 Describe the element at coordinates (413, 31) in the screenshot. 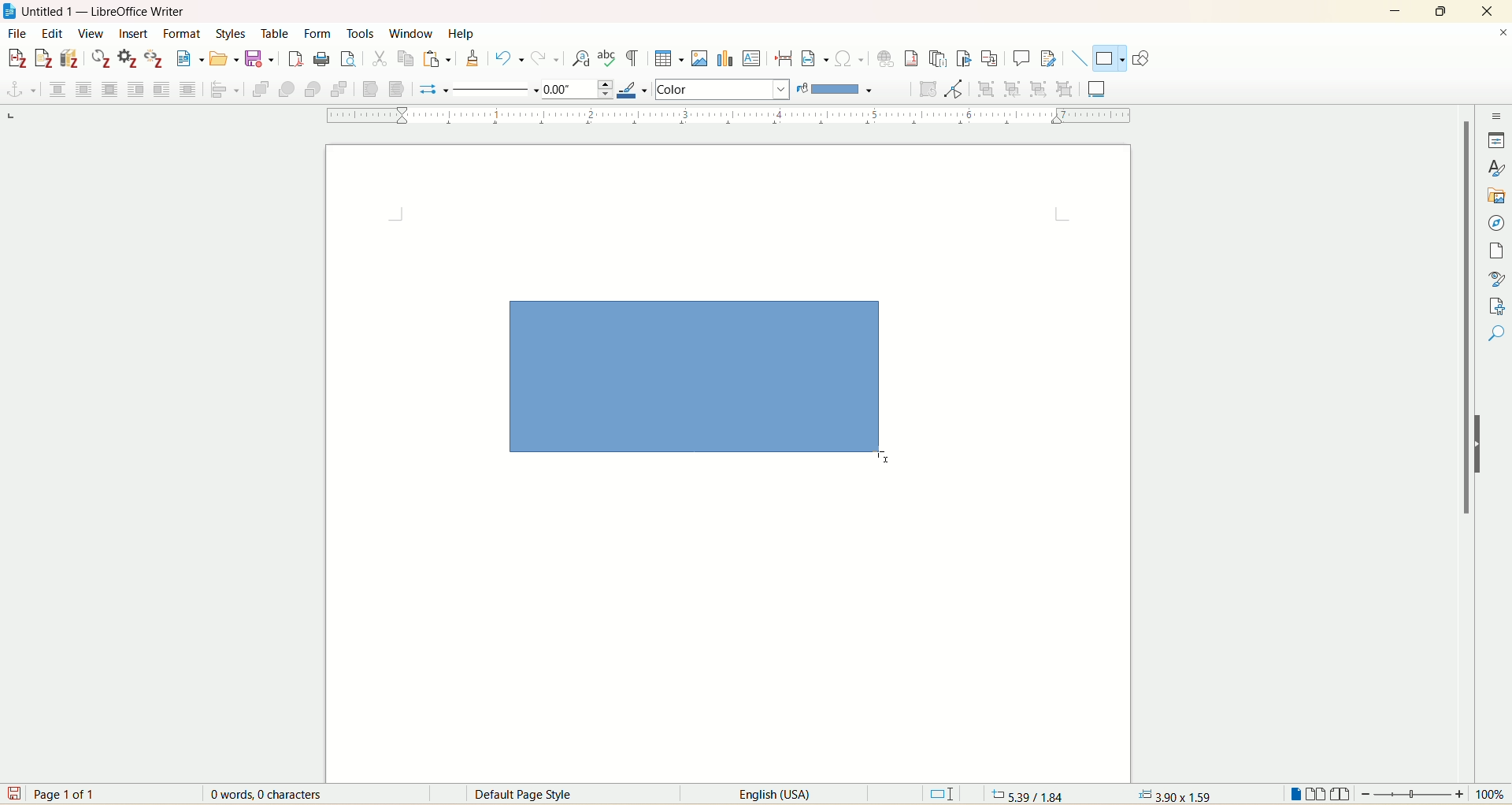

I see `window` at that location.